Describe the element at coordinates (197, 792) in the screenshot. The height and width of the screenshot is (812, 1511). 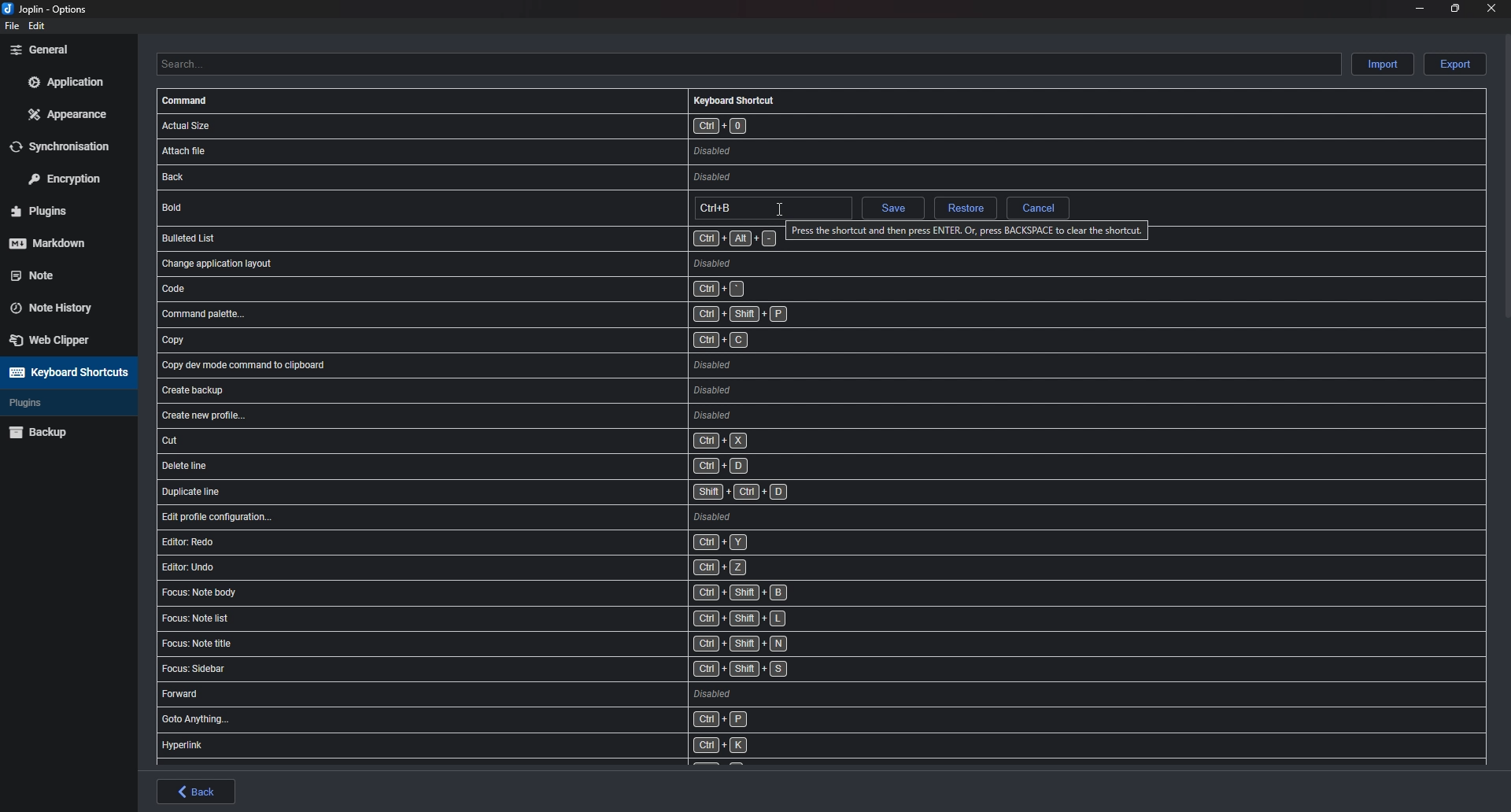
I see `back` at that location.